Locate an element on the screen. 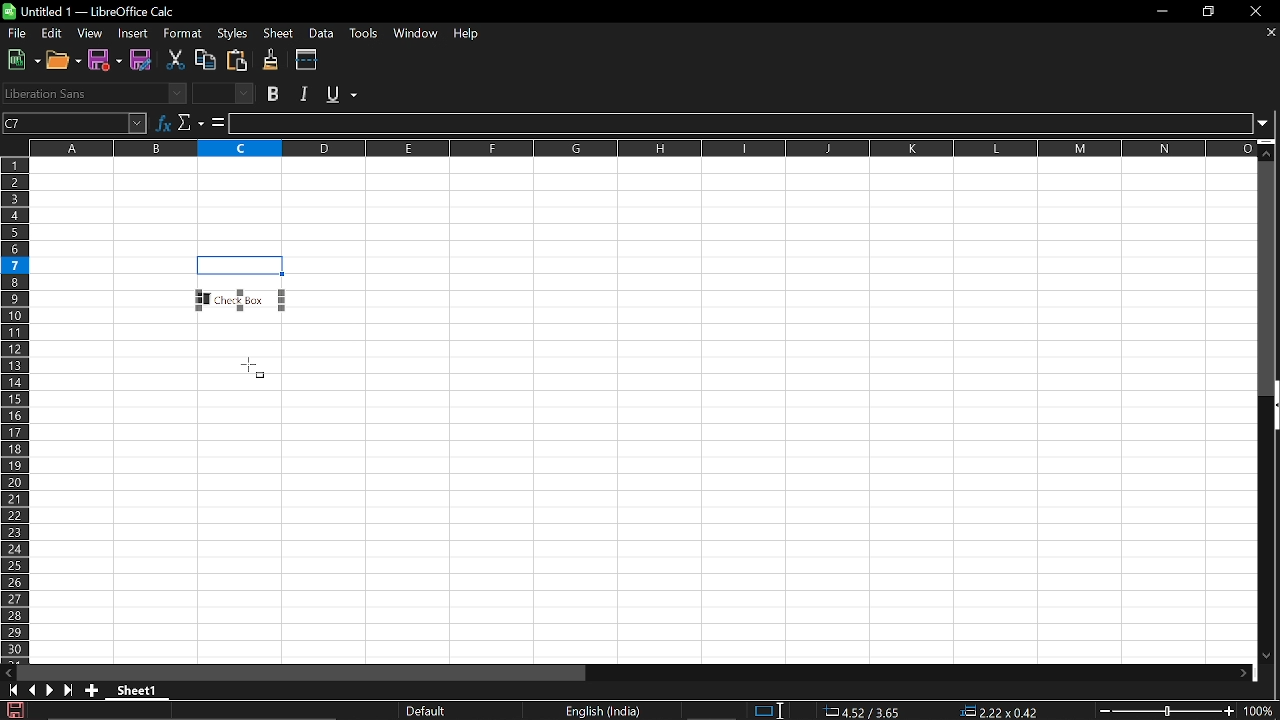 The height and width of the screenshot is (720, 1280). Window is located at coordinates (415, 34).